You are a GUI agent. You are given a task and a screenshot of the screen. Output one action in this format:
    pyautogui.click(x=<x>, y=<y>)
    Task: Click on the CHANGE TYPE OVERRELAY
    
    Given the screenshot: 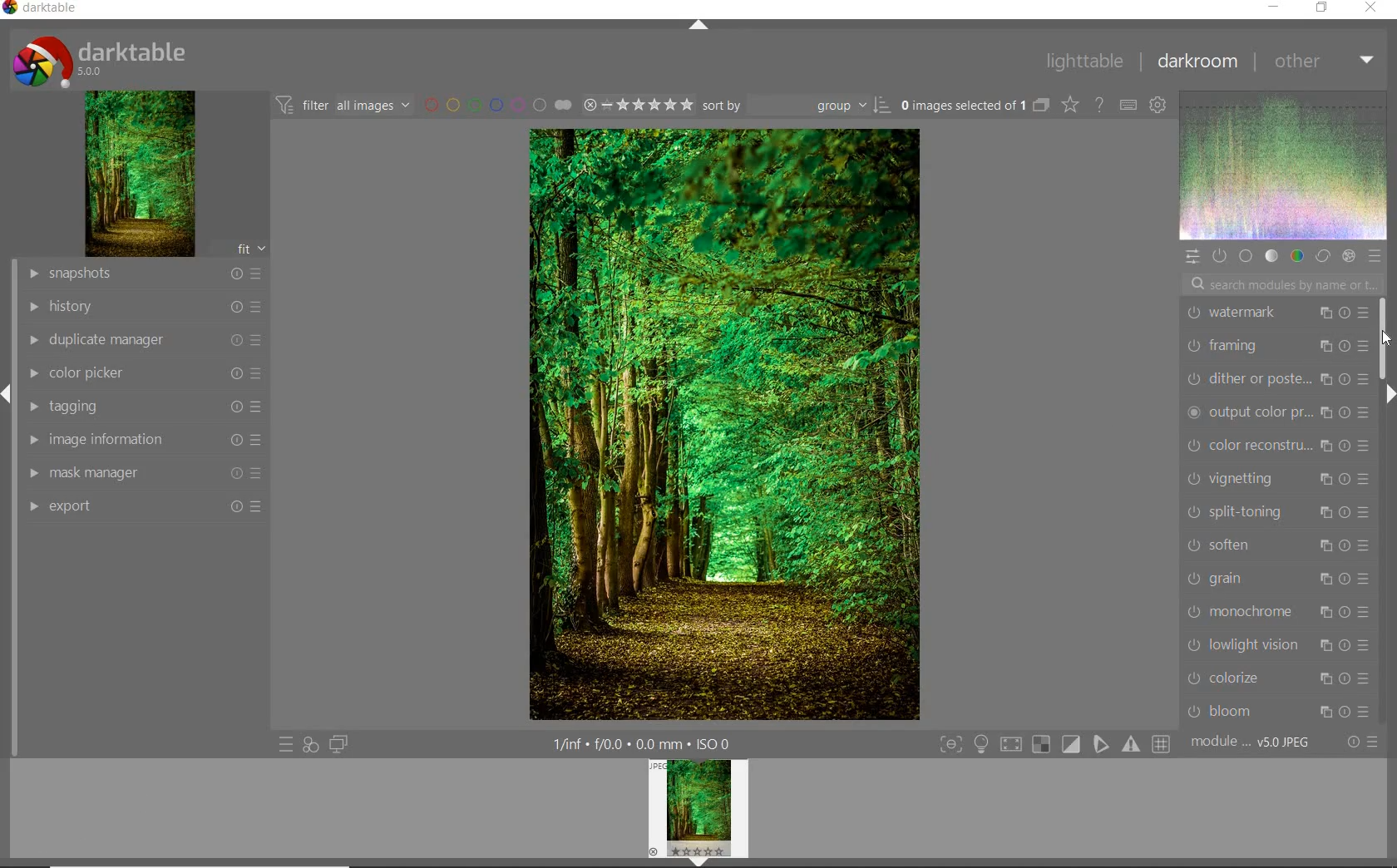 What is the action you would take?
    pyautogui.click(x=1071, y=105)
    